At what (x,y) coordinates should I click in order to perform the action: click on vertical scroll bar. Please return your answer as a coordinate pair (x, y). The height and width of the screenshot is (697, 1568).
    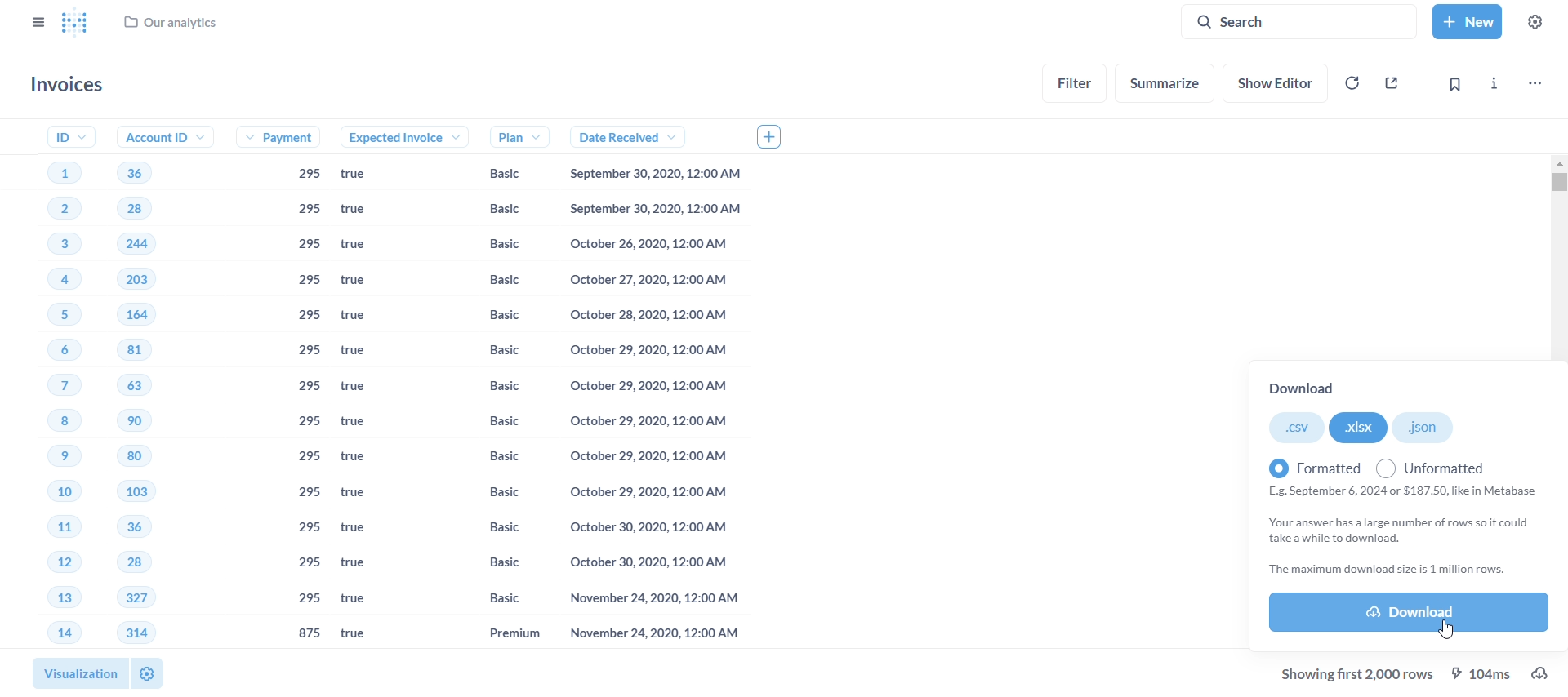
    Looking at the image, I should click on (1560, 402).